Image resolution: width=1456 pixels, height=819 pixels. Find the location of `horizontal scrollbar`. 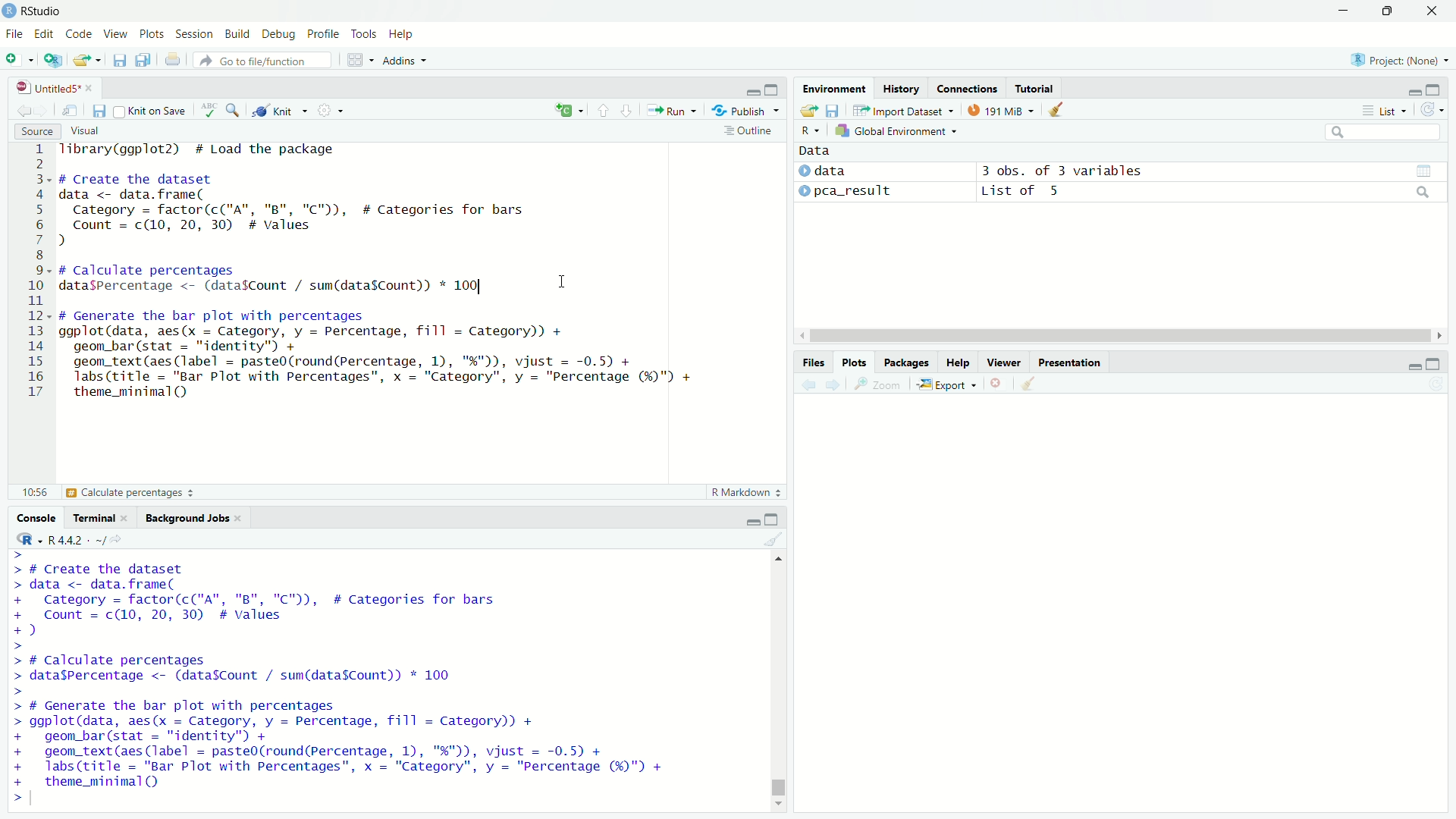

horizontal scrollbar is located at coordinates (1122, 337).